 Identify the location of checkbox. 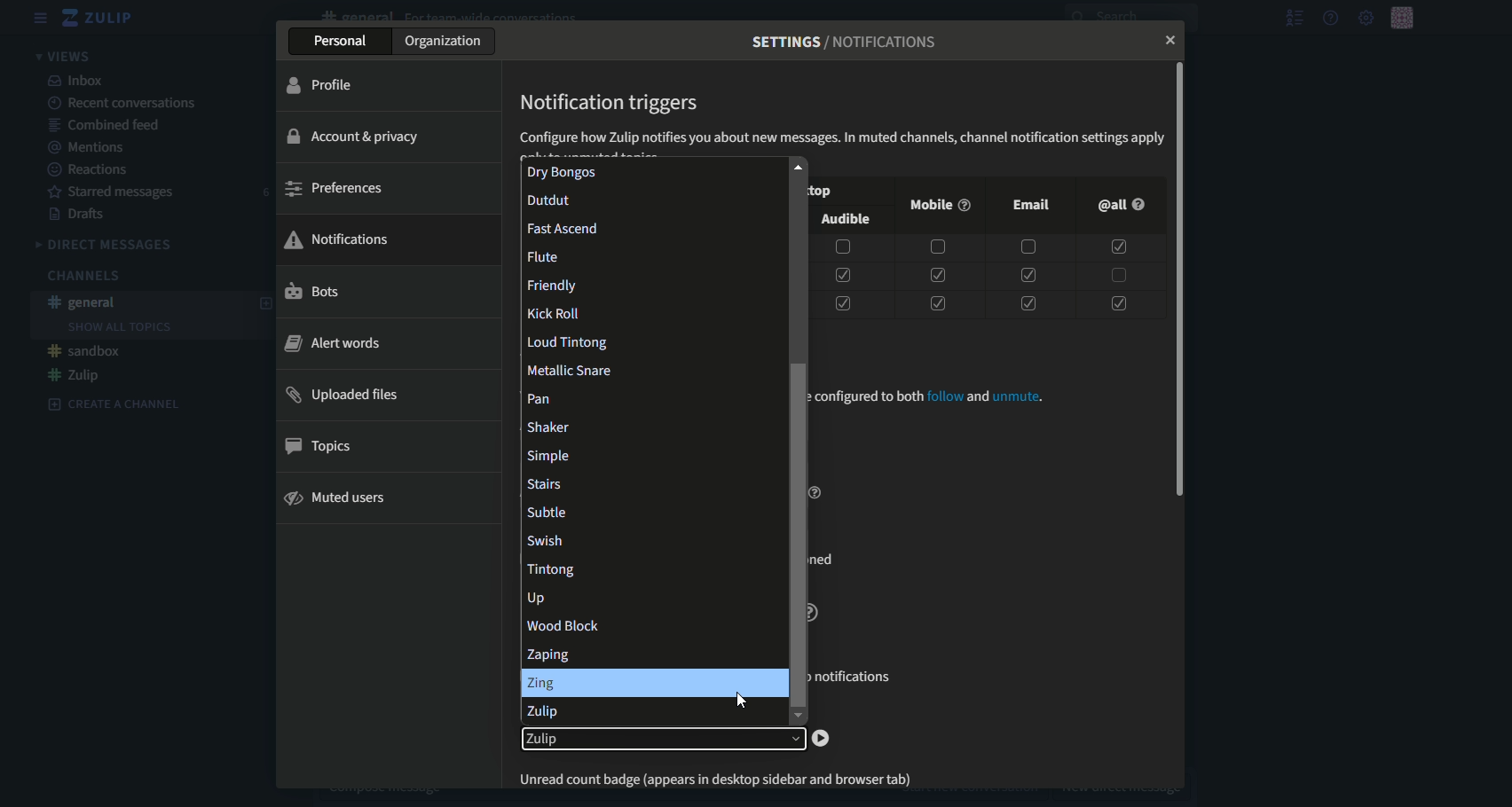
(1119, 247).